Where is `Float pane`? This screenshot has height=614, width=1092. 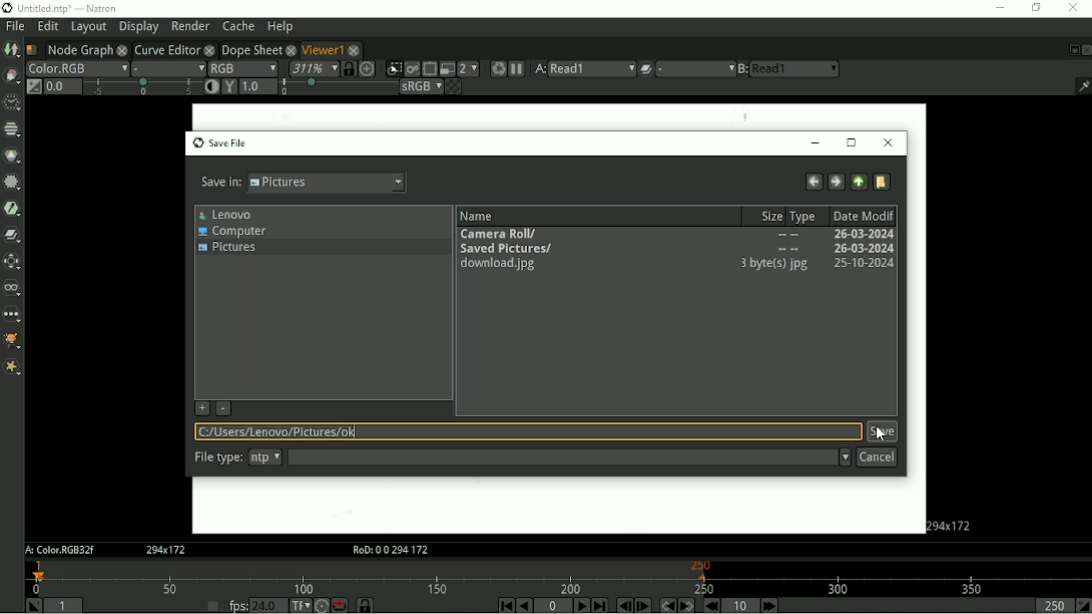 Float pane is located at coordinates (1070, 50).